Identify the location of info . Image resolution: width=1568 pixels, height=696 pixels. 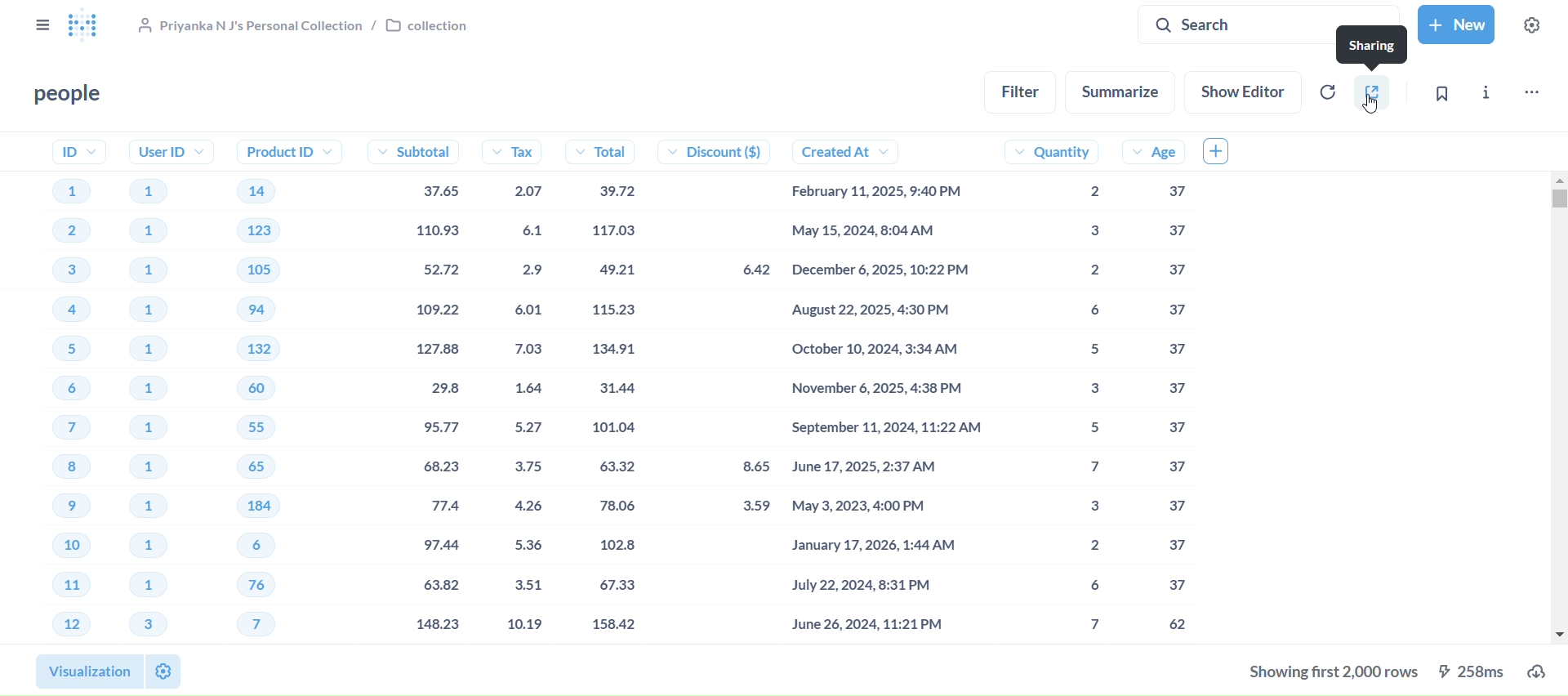
(1488, 93).